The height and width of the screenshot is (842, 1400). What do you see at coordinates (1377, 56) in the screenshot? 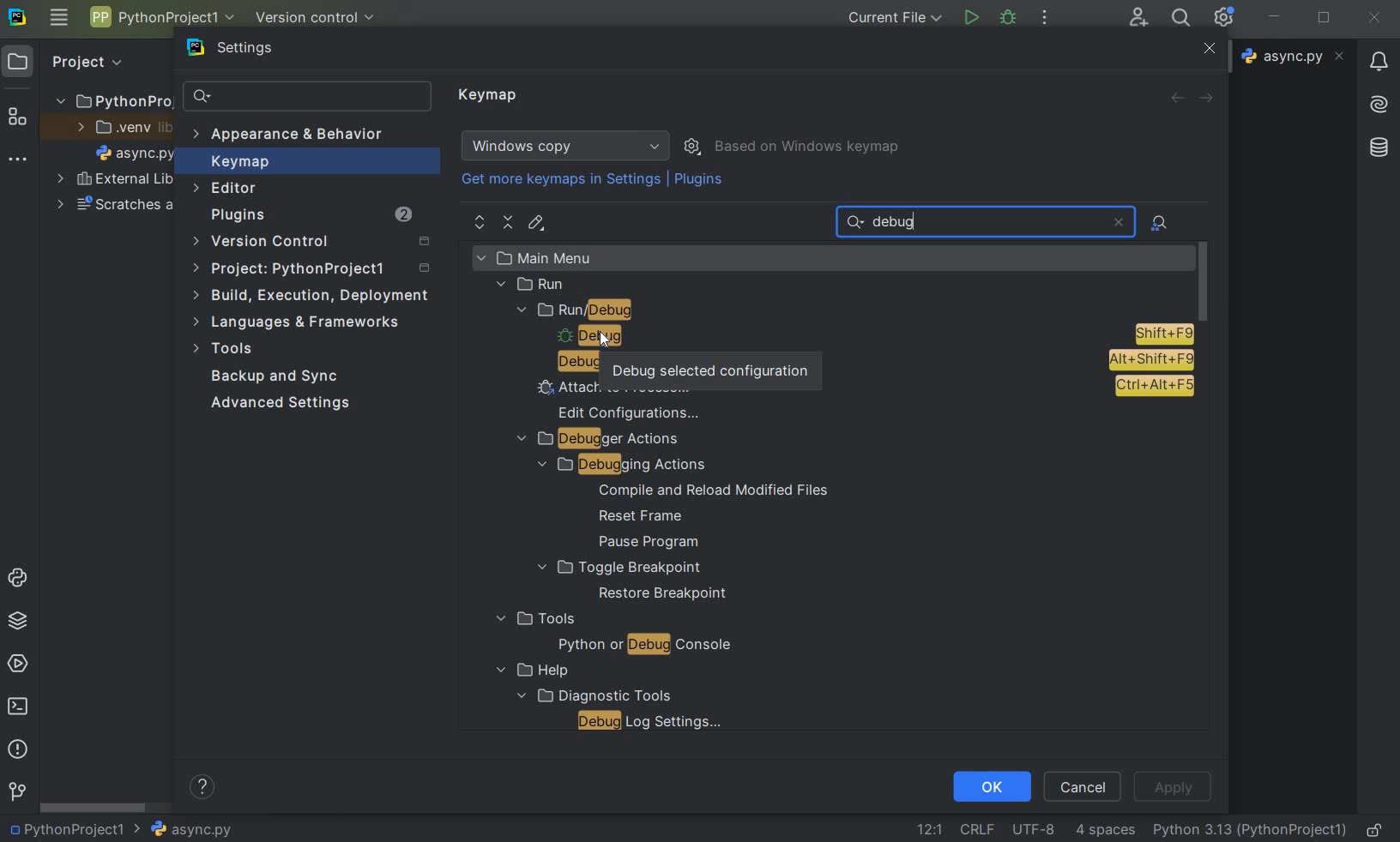
I see `Notifications` at bounding box center [1377, 56].